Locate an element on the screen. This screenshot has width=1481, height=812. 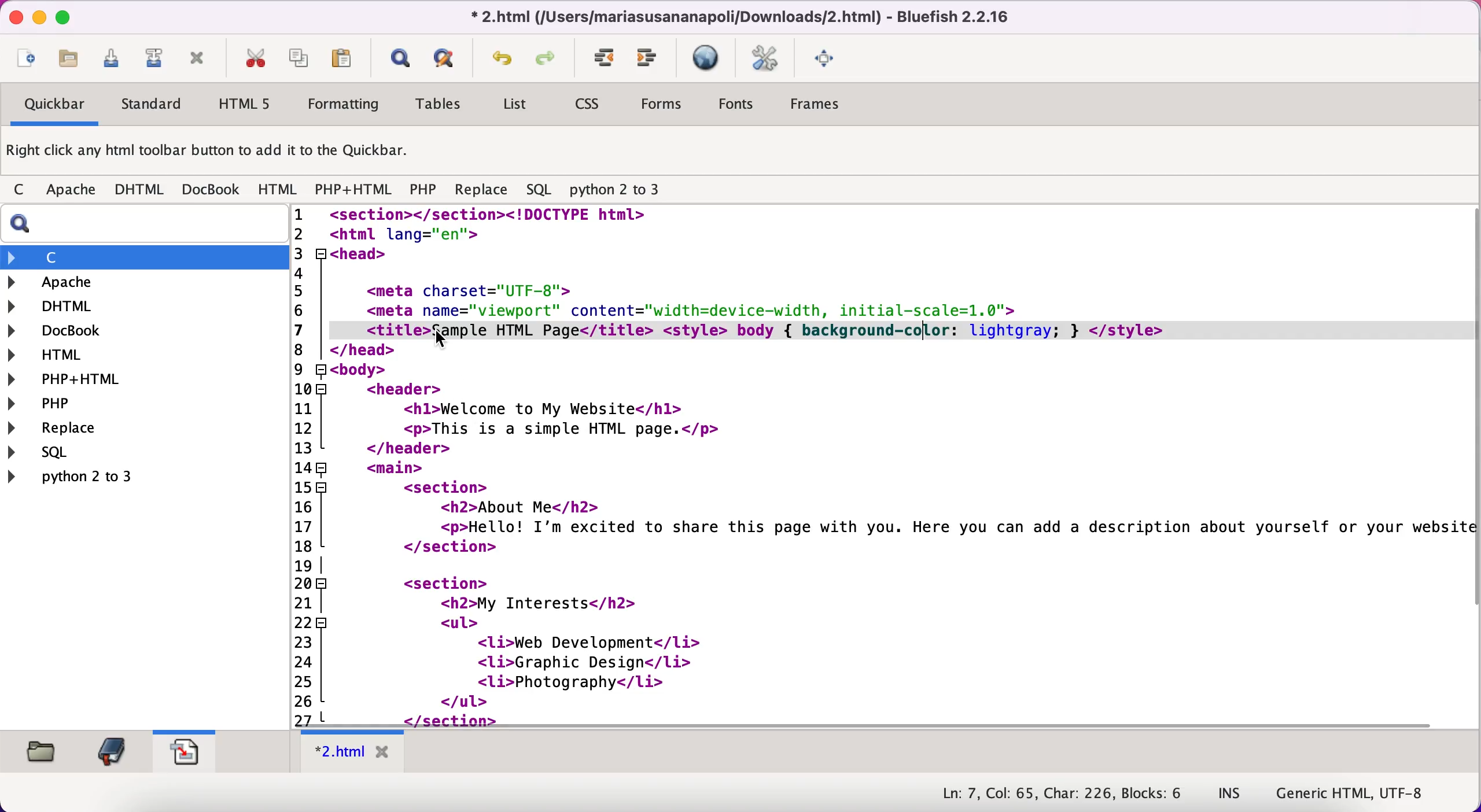
php is located at coordinates (423, 191).